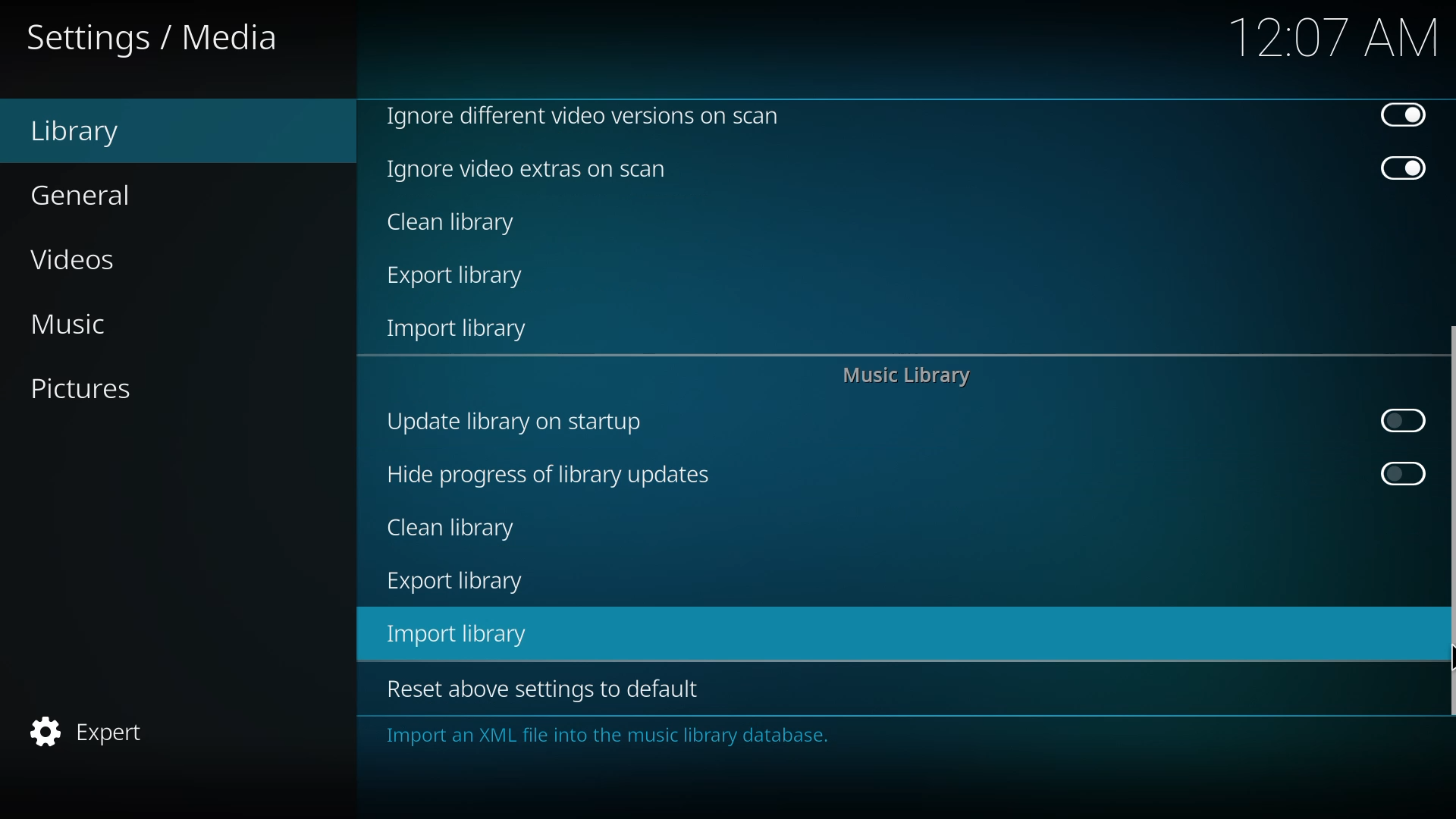  Describe the element at coordinates (582, 115) in the screenshot. I see `ignore` at that location.